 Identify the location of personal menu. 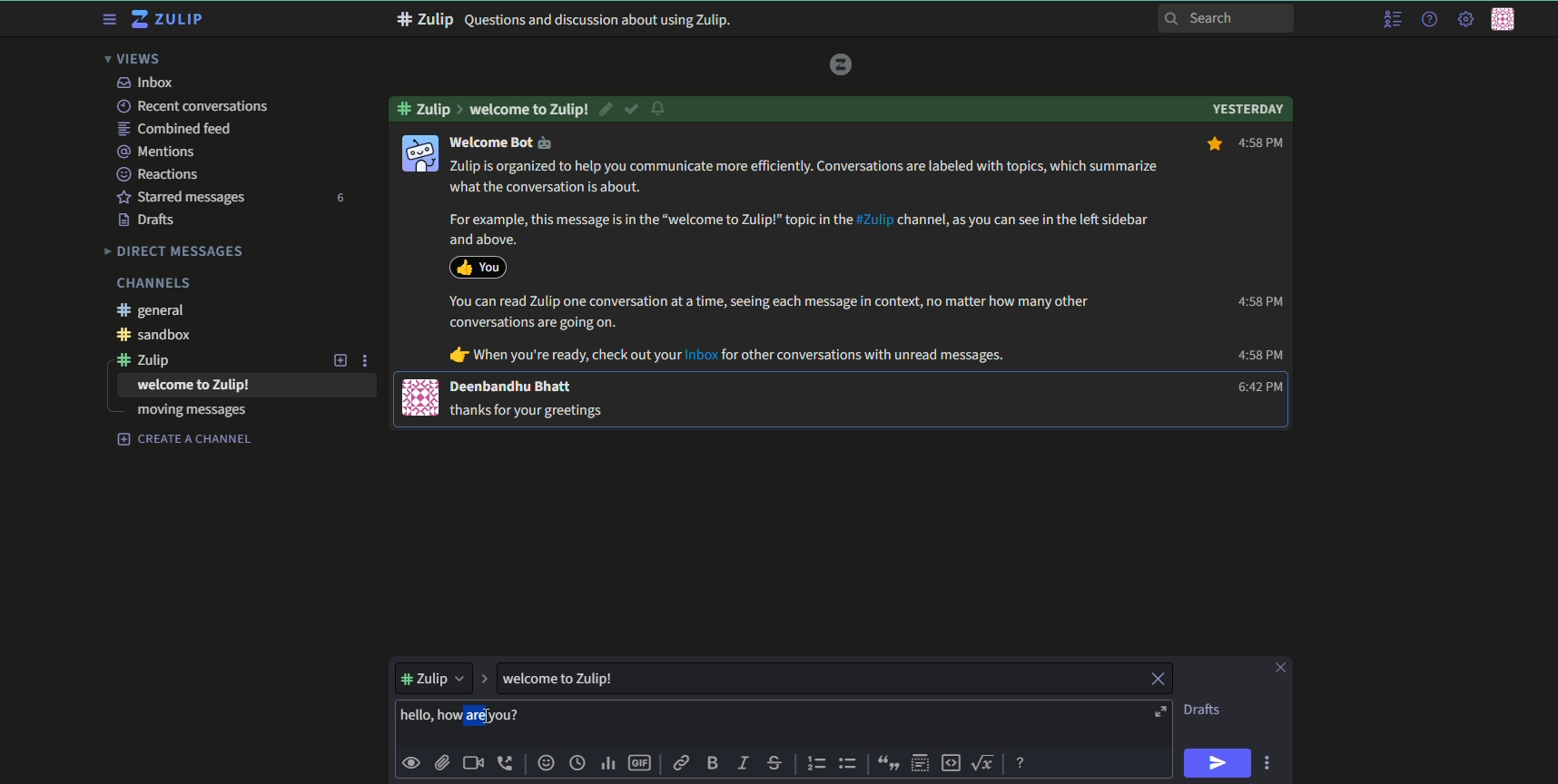
(1506, 21).